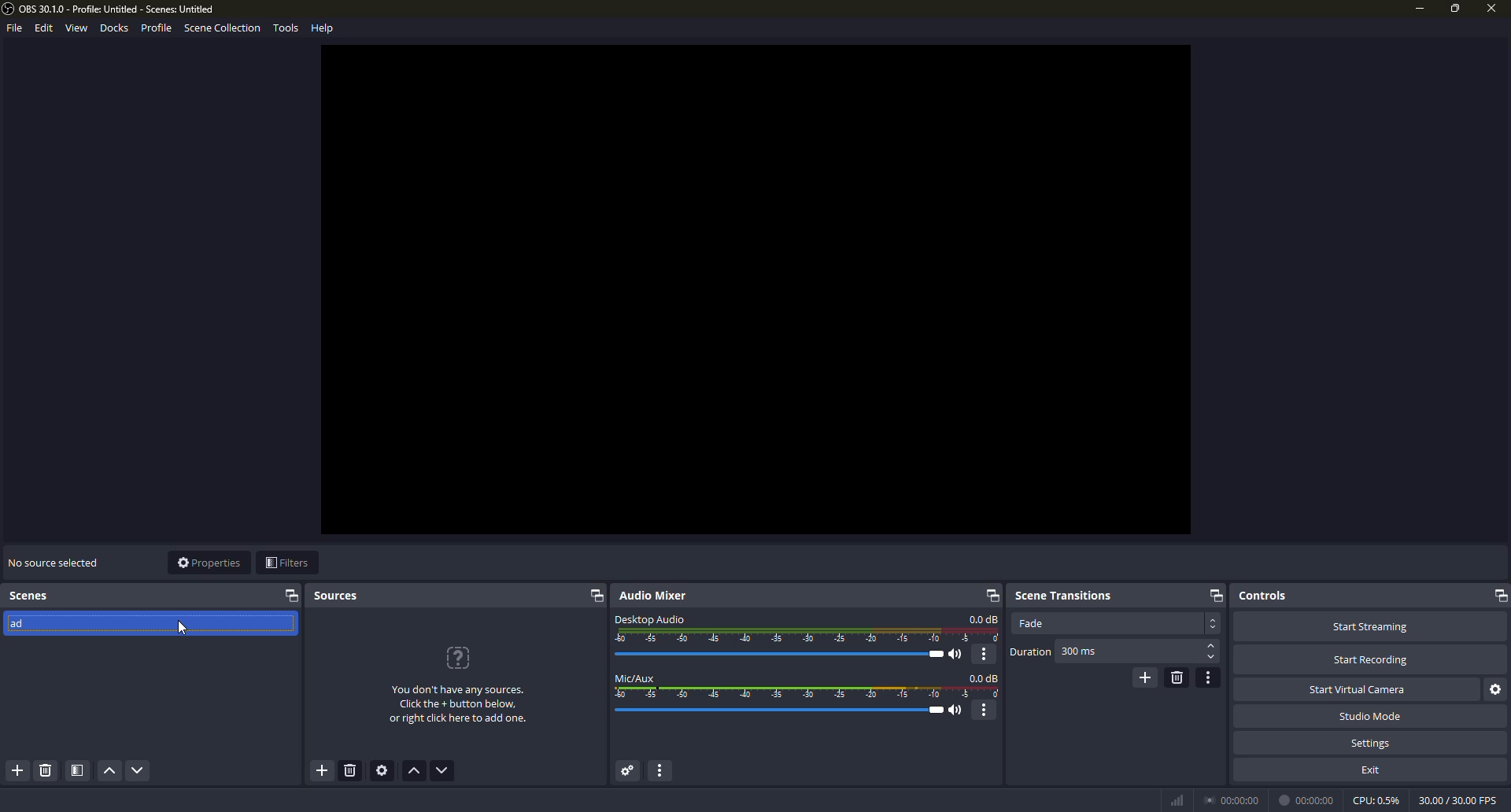  I want to click on start streaming, so click(1369, 626).